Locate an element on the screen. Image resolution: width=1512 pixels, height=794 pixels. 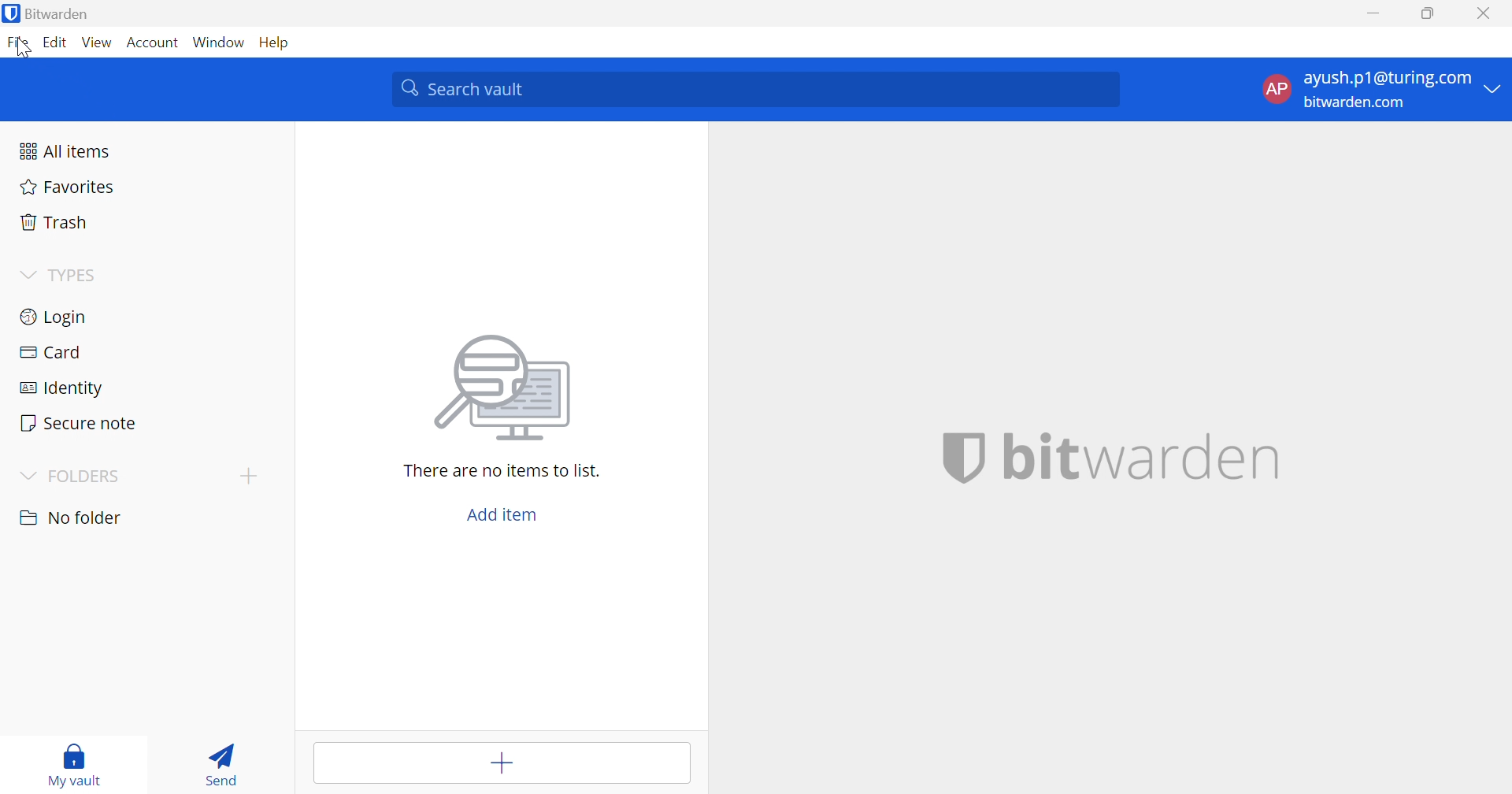
Card is located at coordinates (50, 350).